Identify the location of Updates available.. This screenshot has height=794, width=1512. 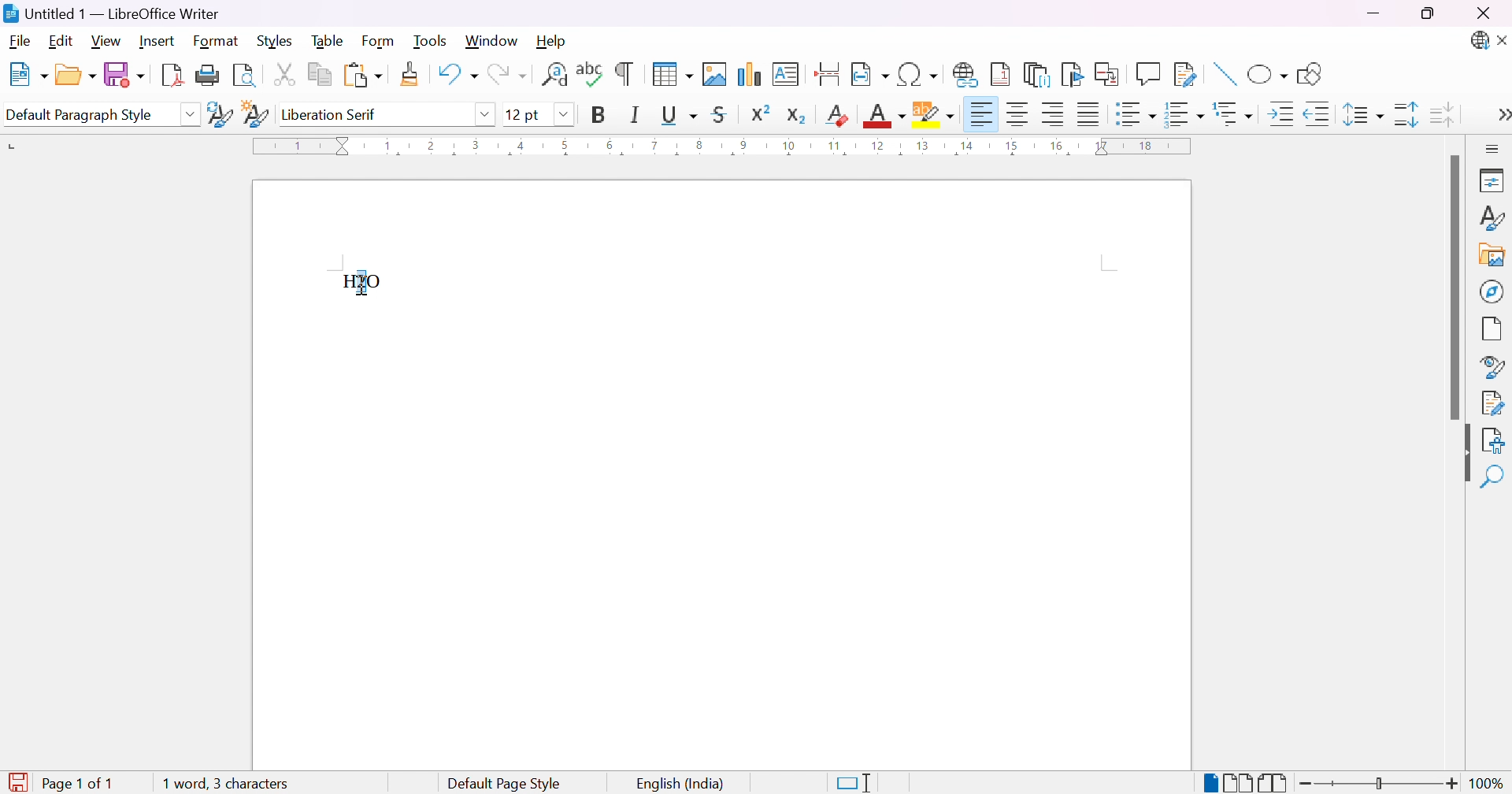
(1478, 41).